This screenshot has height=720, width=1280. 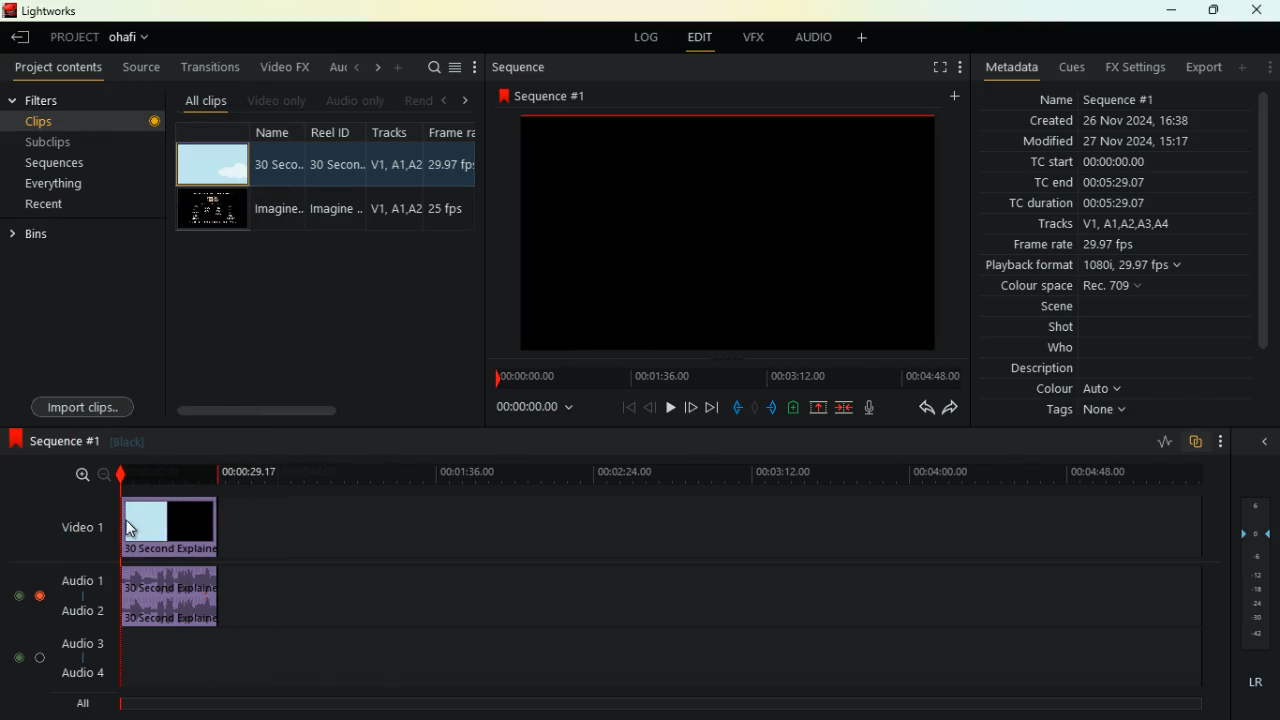 What do you see at coordinates (1079, 411) in the screenshot?
I see `tags` at bounding box center [1079, 411].